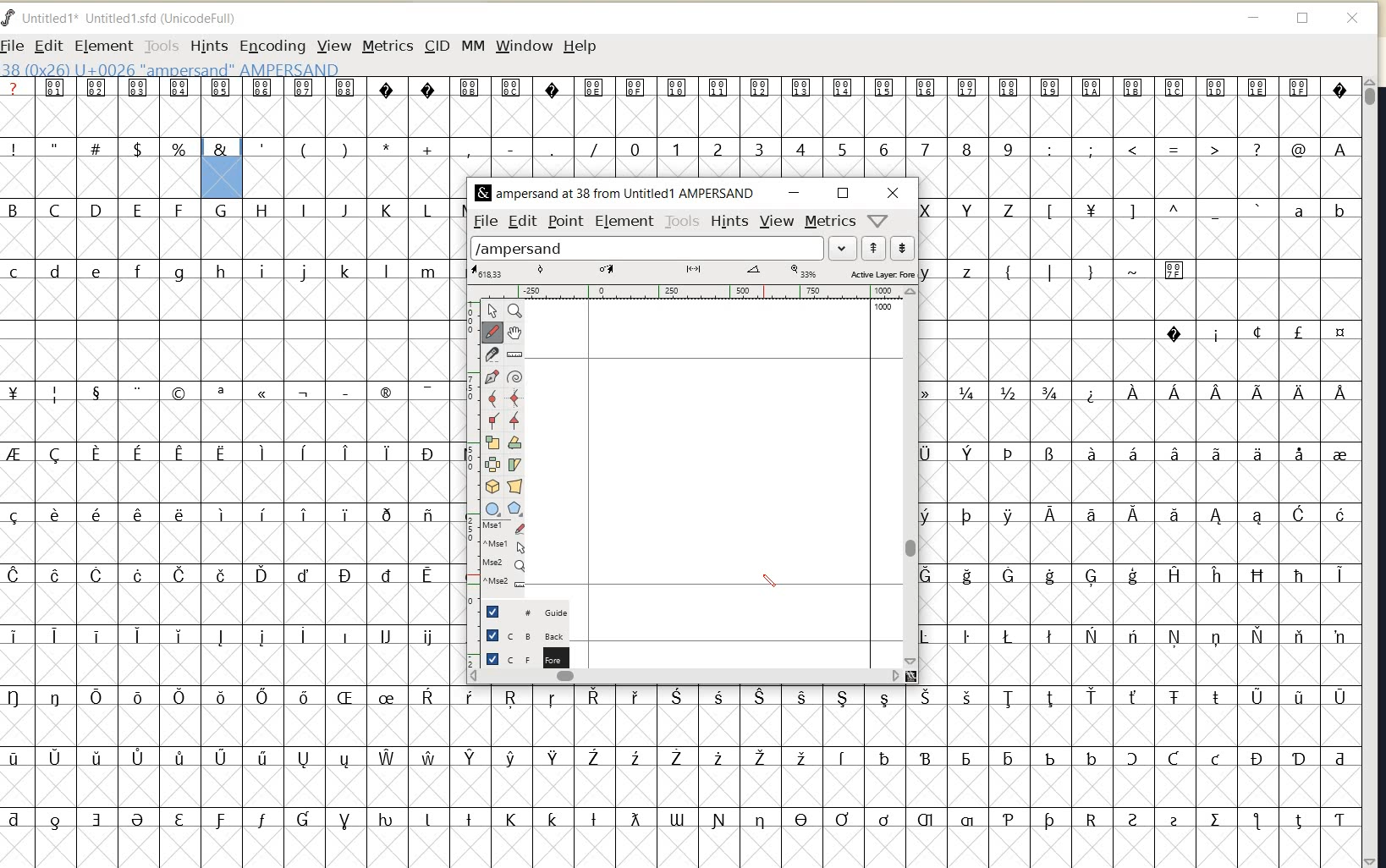 The image size is (1386, 868). What do you see at coordinates (46, 45) in the screenshot?
I see `EDIT` at bounding box center [46, 45].